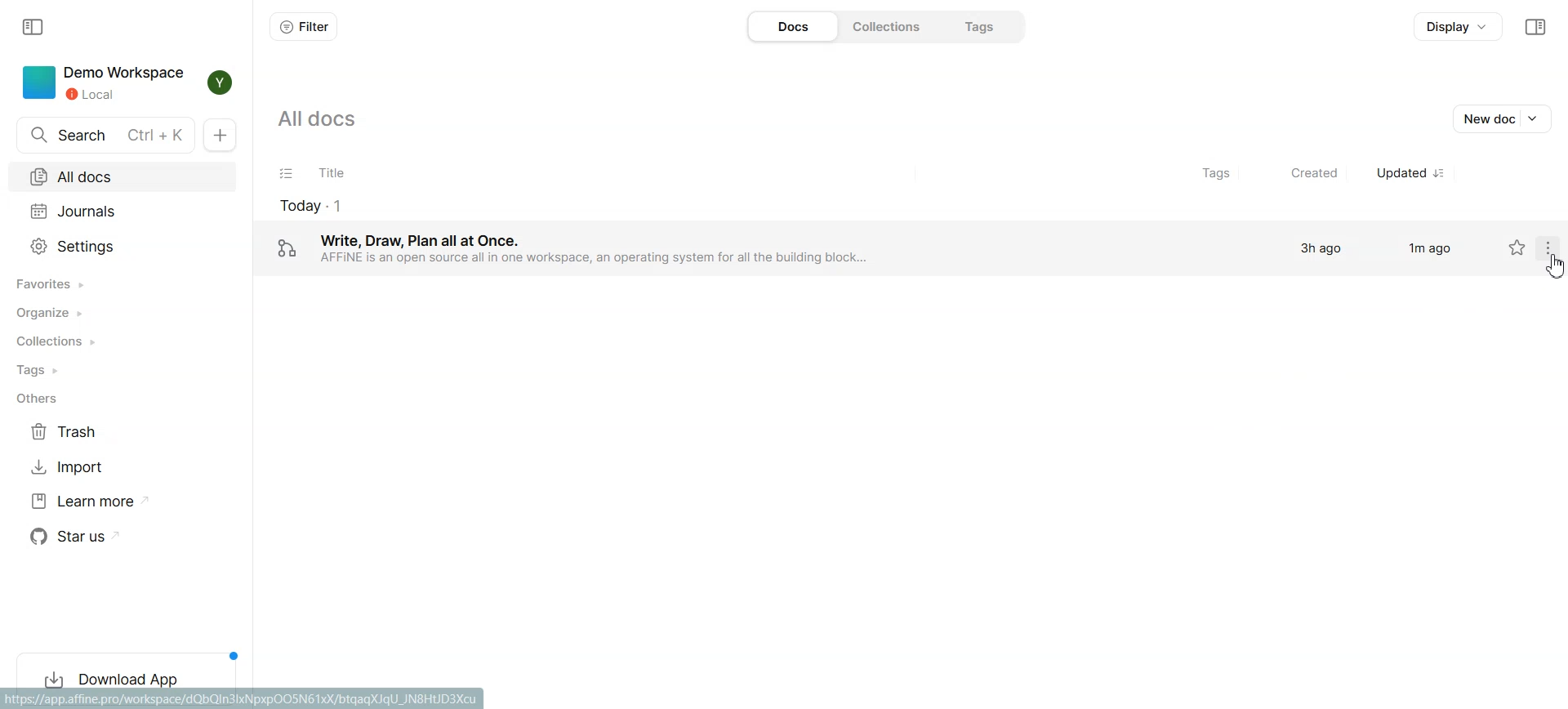 The width and height of the screenshot is (1568, 709). Describe the element at coordinates (739, 175) in the screenshot. I see `Title` at that location.